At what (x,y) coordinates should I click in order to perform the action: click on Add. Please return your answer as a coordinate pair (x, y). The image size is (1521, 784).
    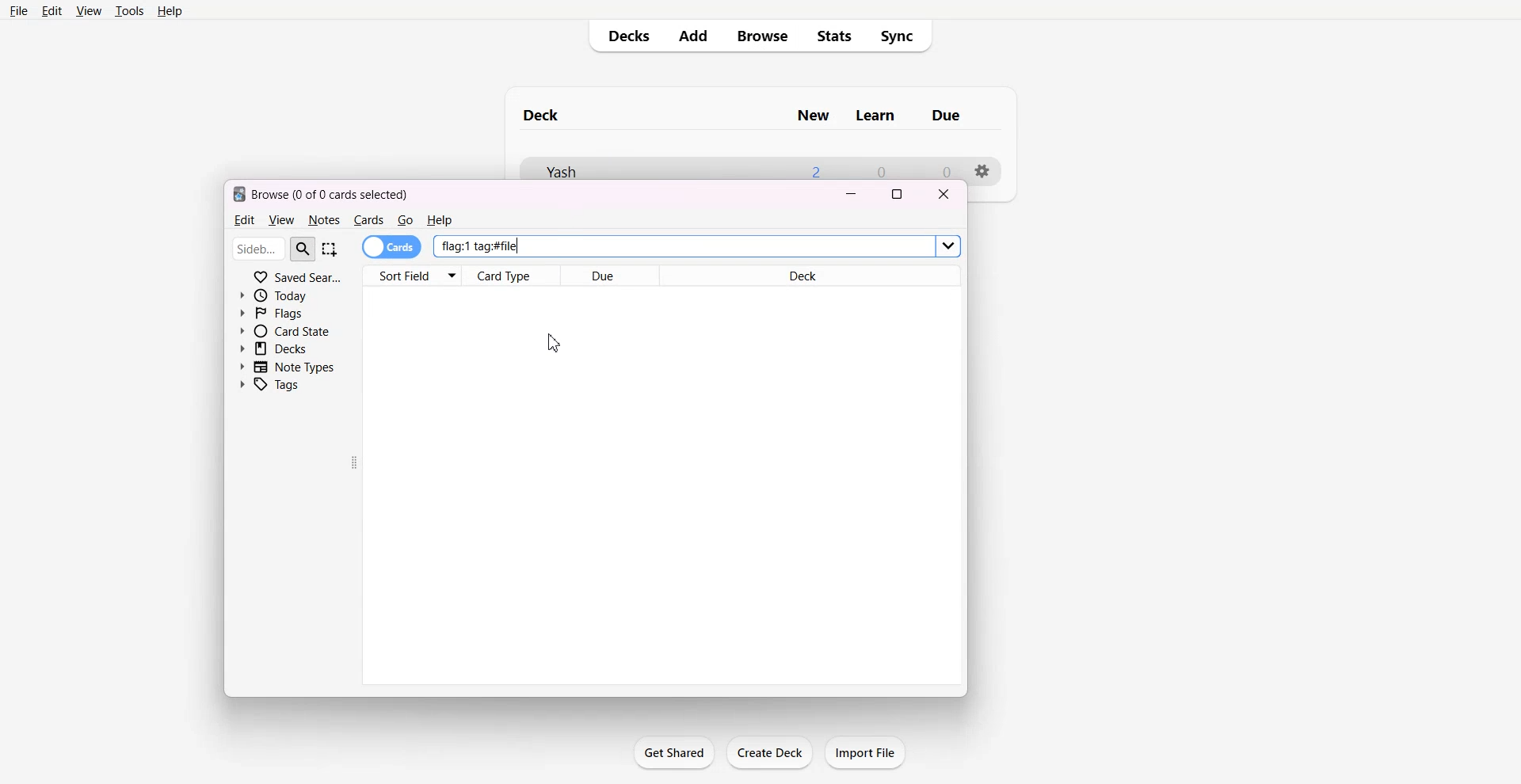
    Looking at the image, I should click on (698, 37).